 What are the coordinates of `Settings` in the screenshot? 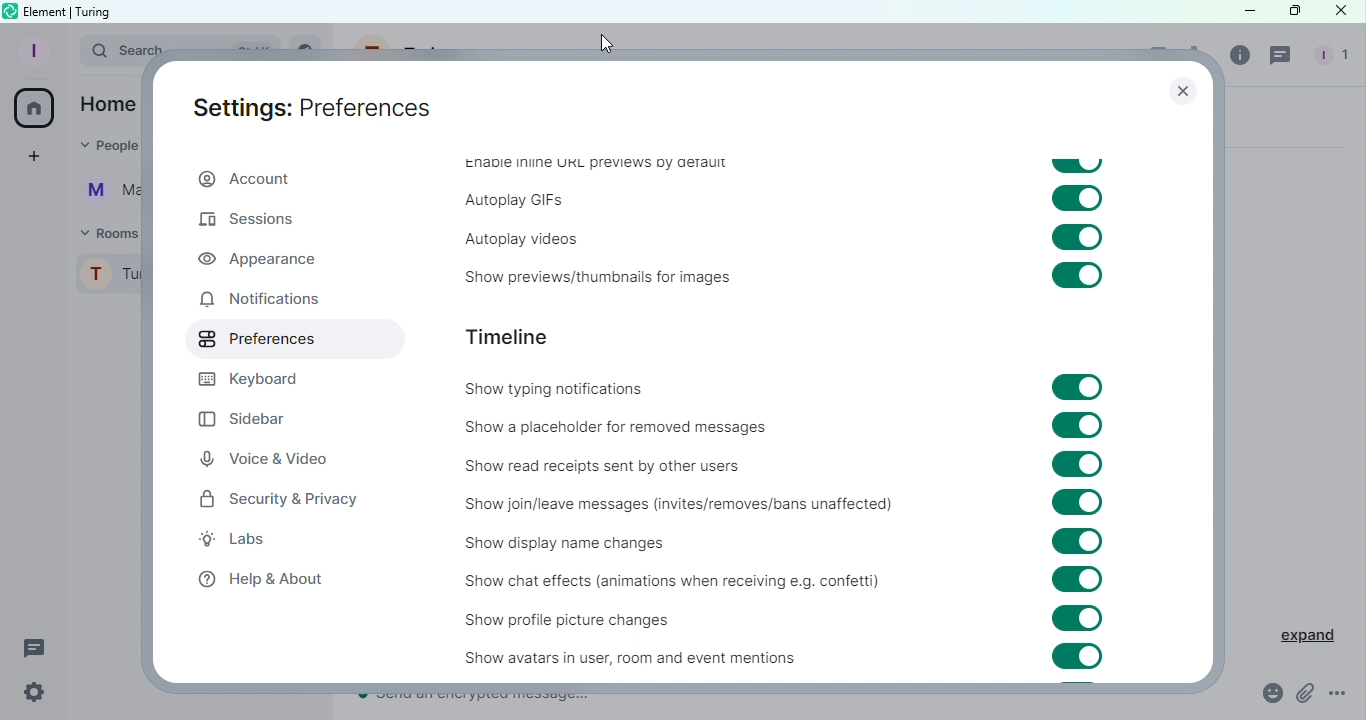 It's located at (34, 693).